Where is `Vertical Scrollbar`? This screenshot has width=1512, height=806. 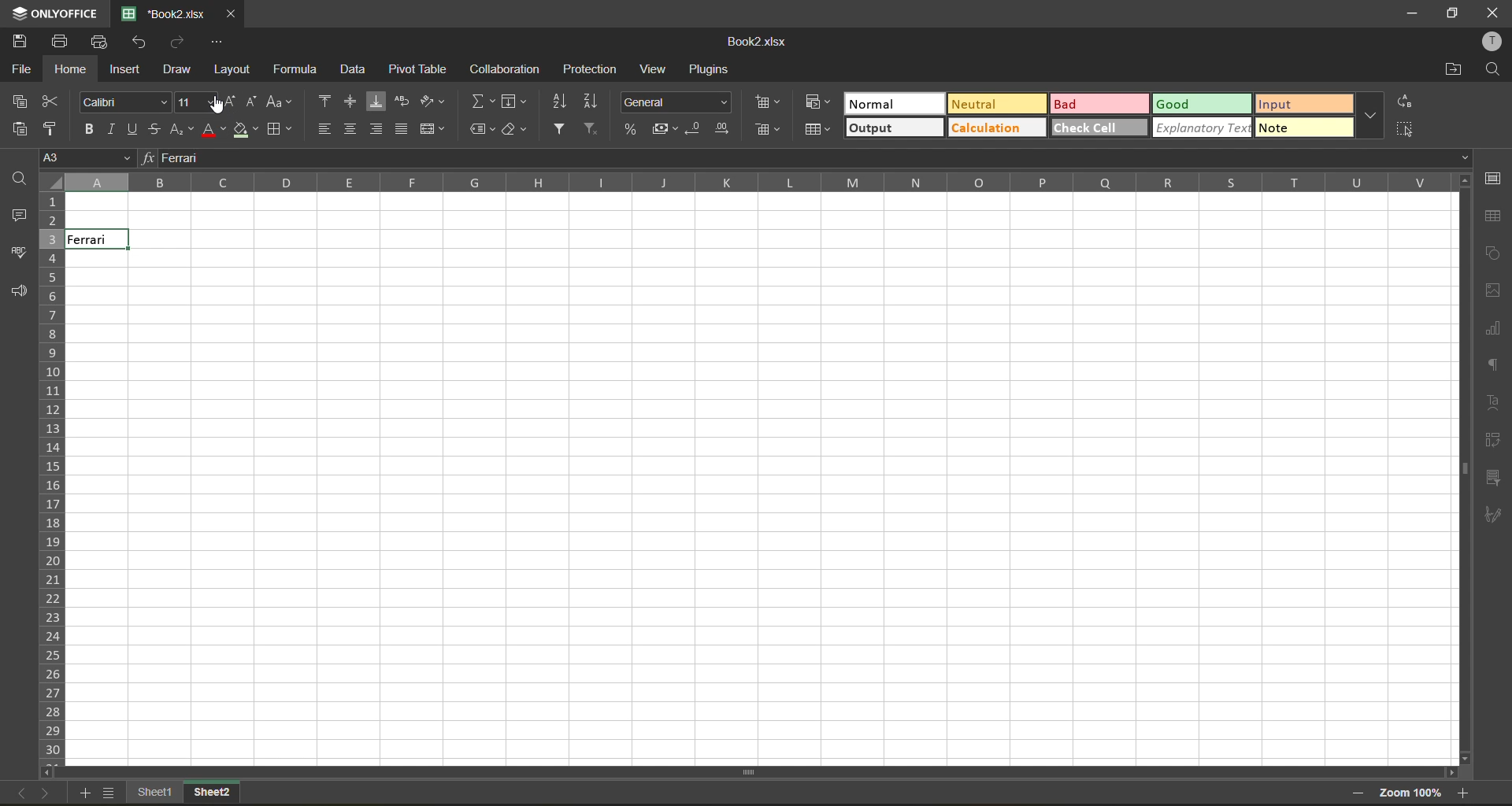 Vertical Scrollbar is located at coordinates (754, 770).